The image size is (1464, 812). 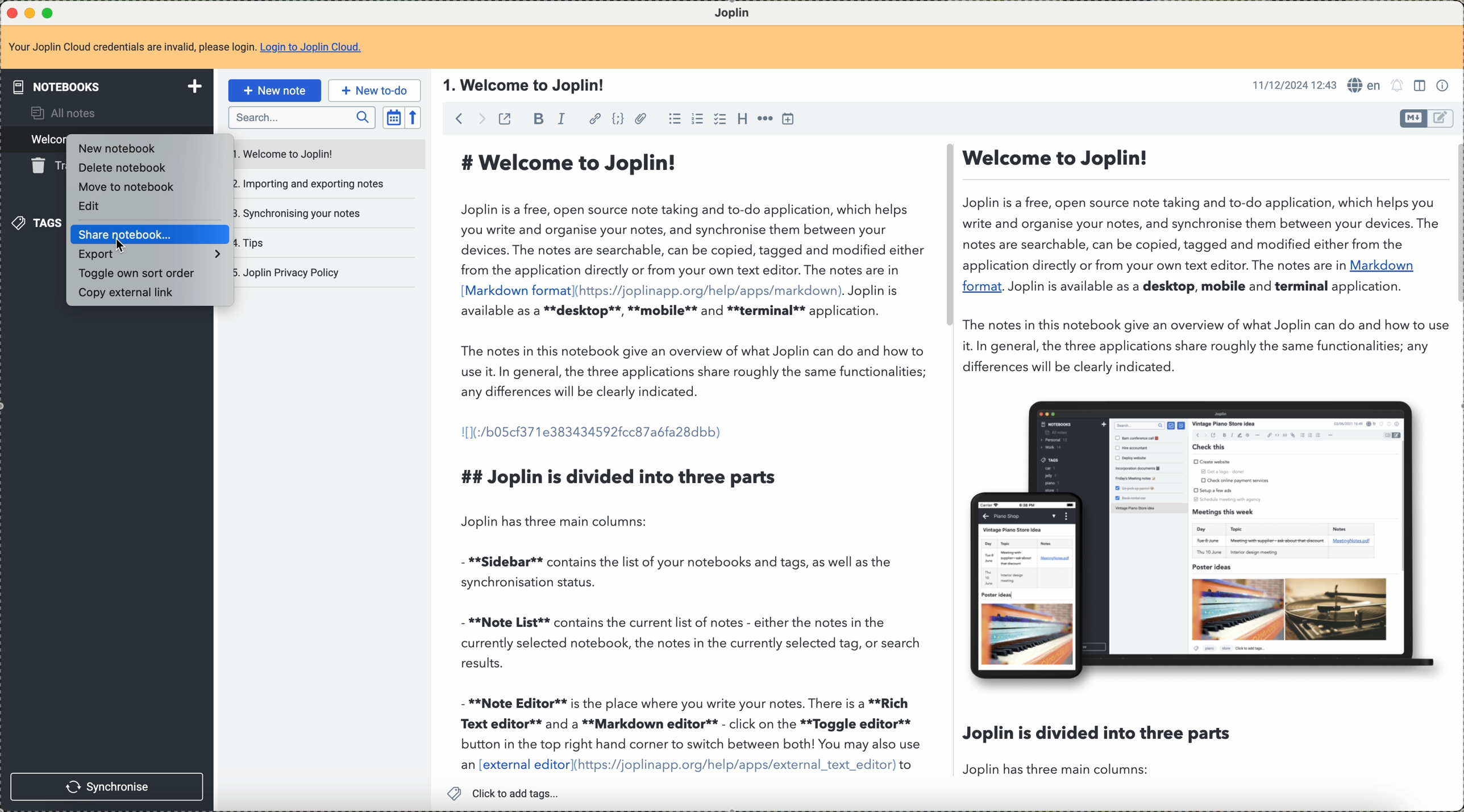 I want to click on set alarm, so click(x=1398, y=86).